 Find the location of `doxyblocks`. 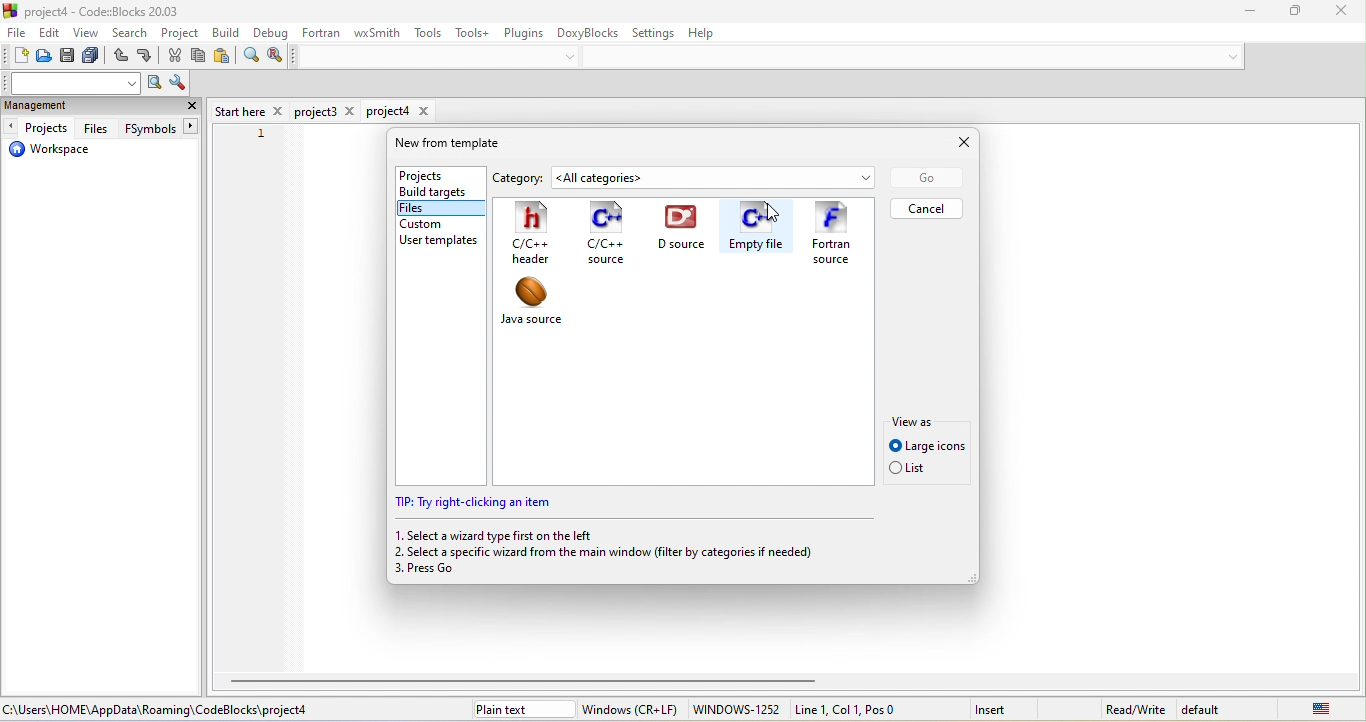

doxyblocks is located at coordinates (588, 31).